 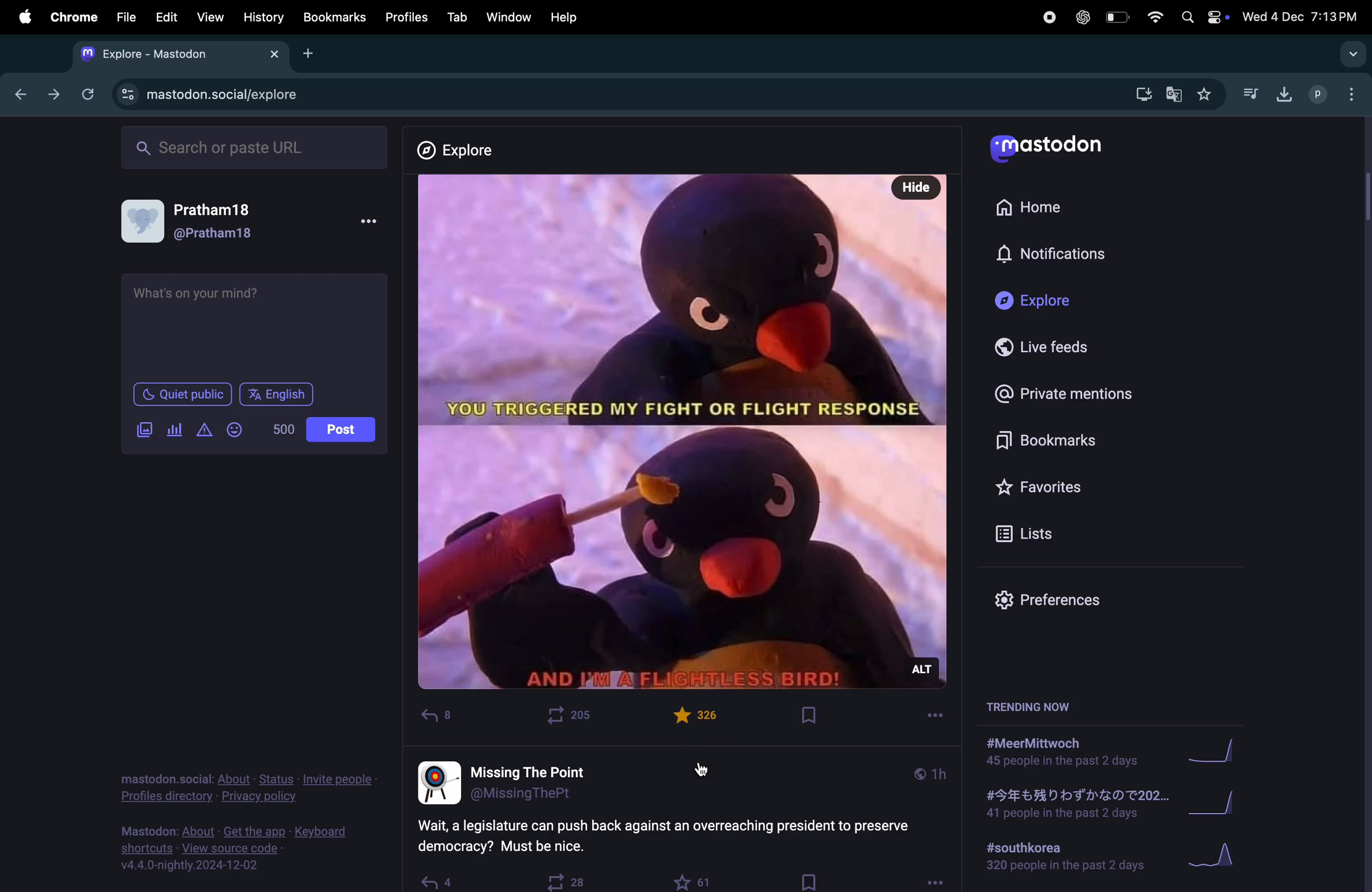 I want to click on Quiet public, so click(x=183, y=394).